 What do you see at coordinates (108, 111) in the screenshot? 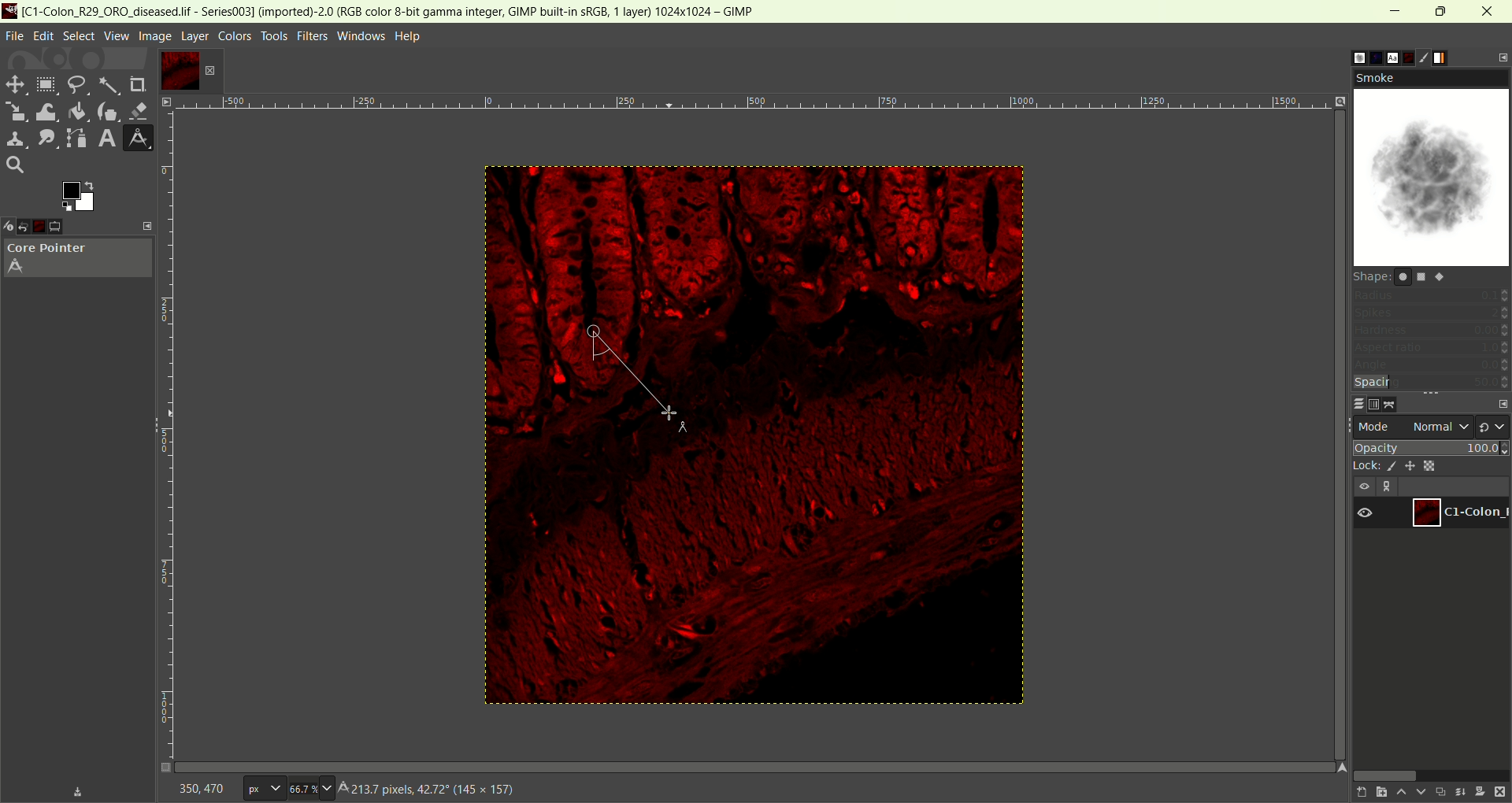
I see `ink tool` at bounding box center [108, 111].